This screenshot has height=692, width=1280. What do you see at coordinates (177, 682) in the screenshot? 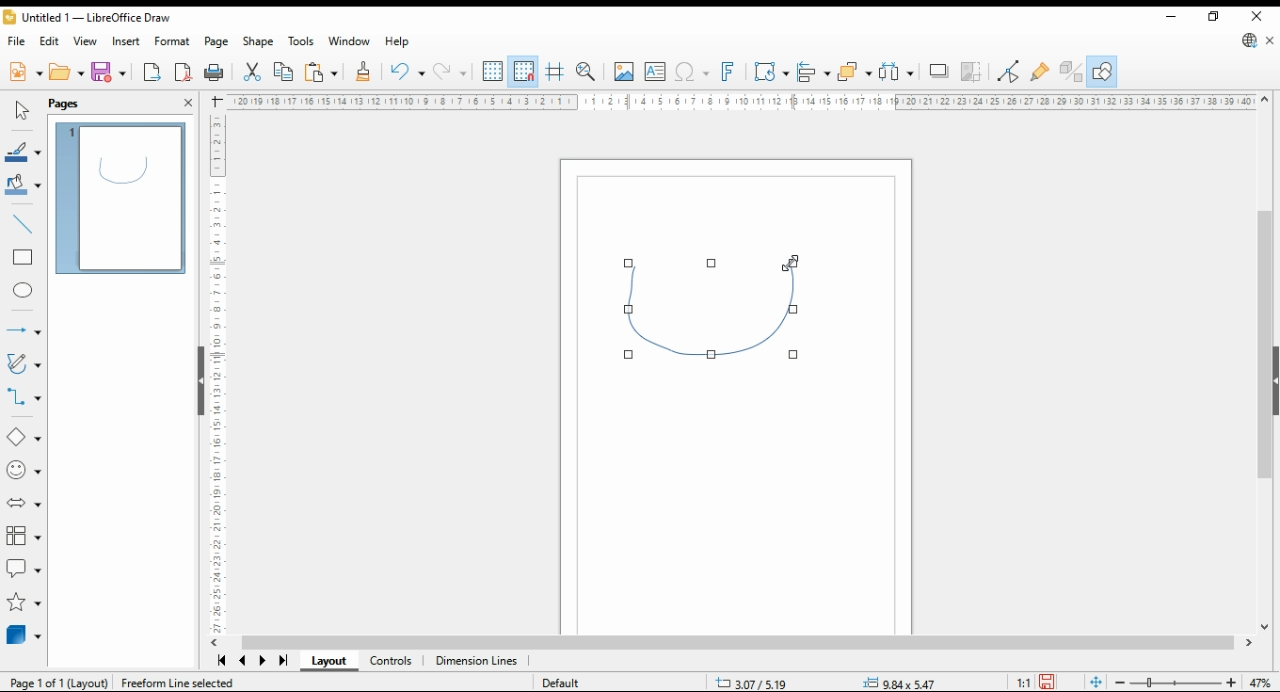
I see `freeroam line selected` at bounding box center [177, 682].